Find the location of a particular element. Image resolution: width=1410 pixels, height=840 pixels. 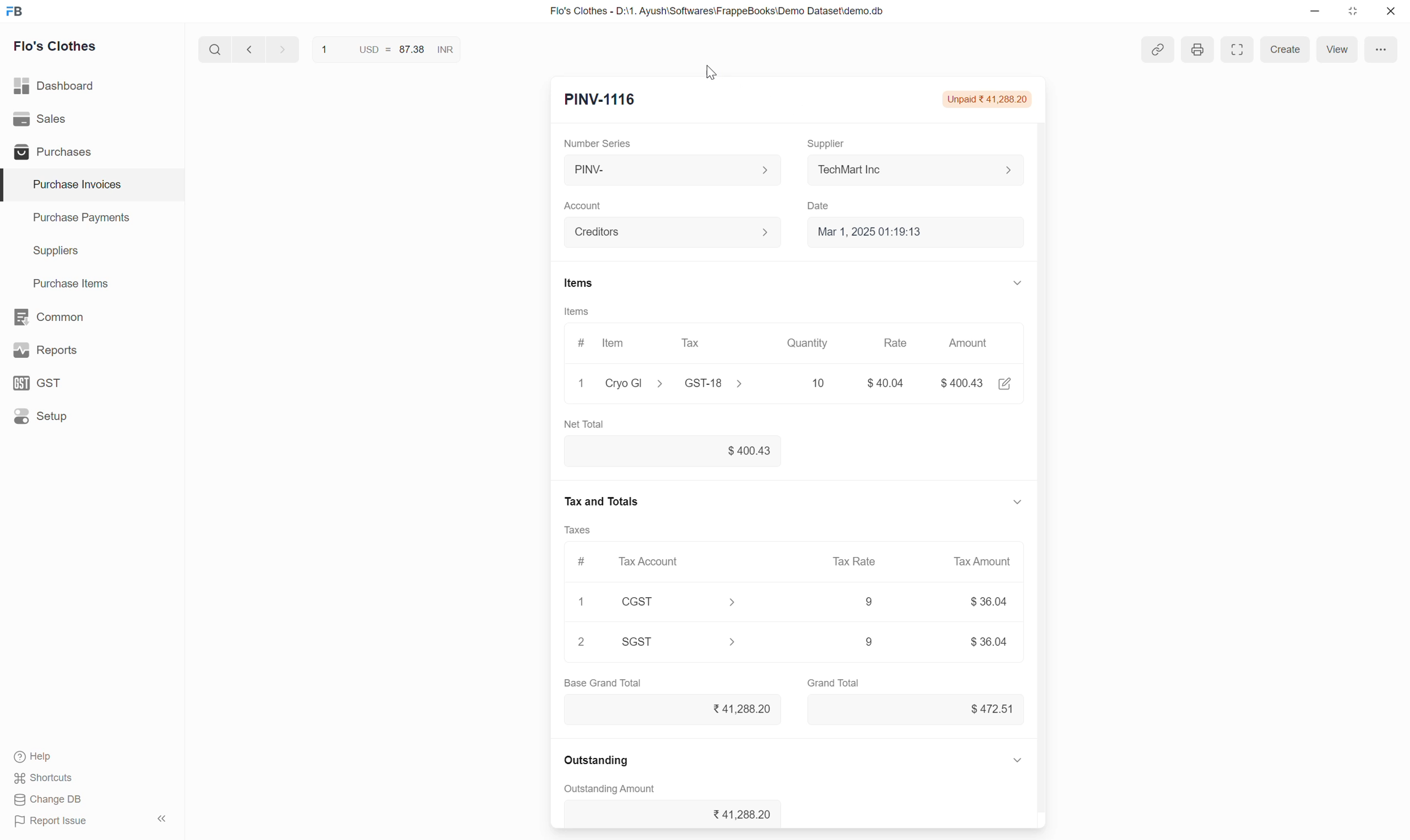

expand is located at coordinates (1016, 282).